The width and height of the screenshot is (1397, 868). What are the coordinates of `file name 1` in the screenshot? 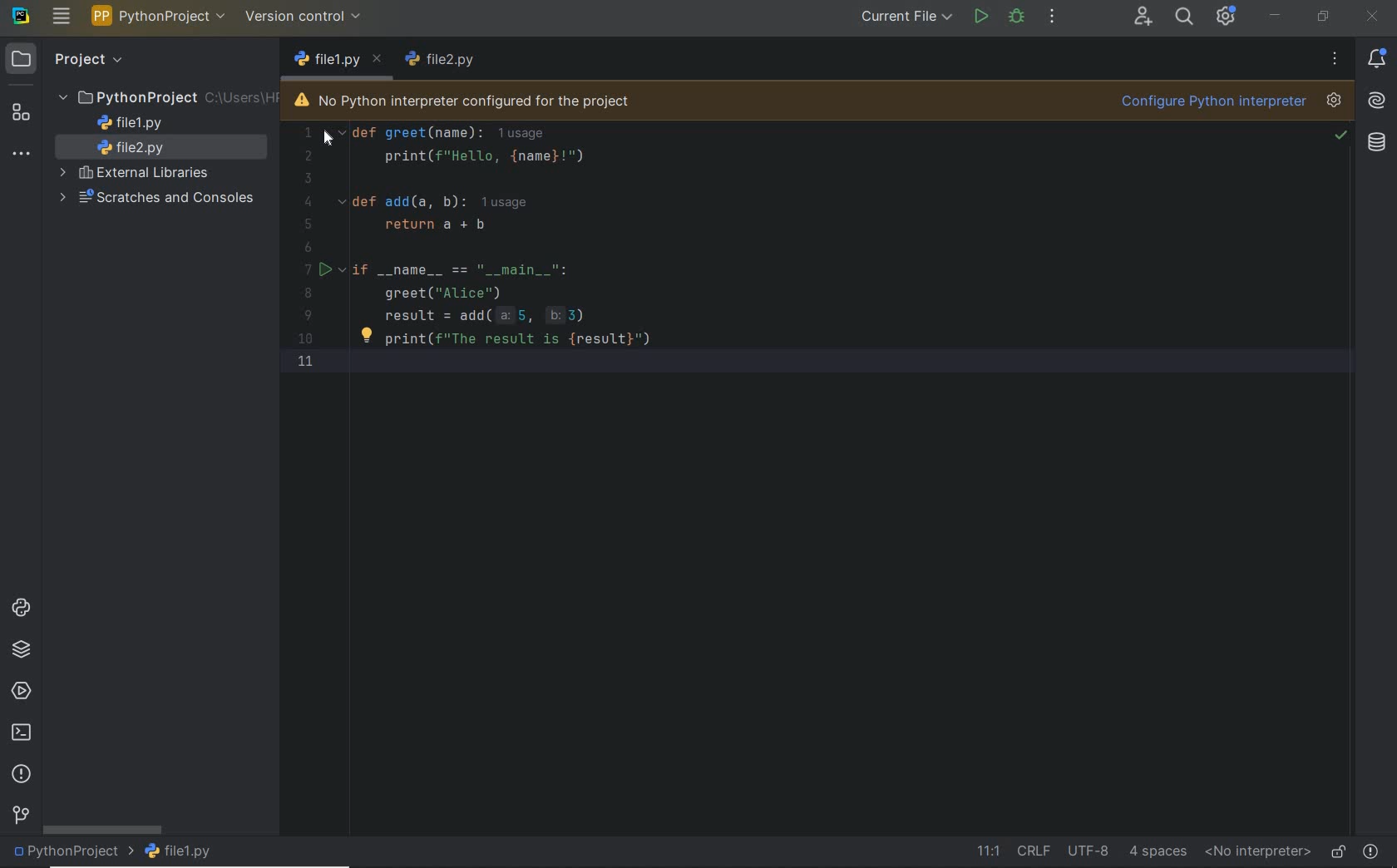 It's located at (442, 60).